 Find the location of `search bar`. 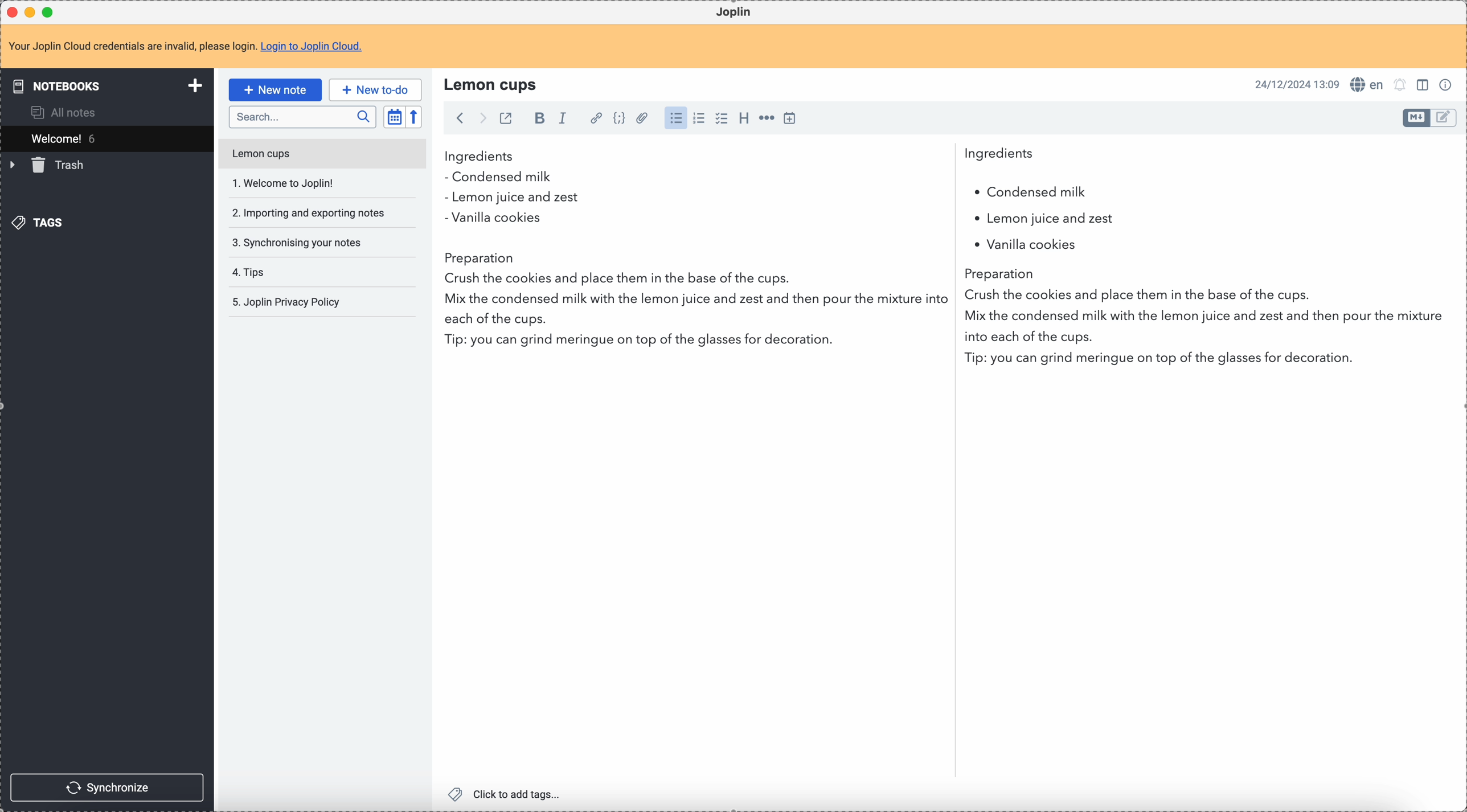

search bar is located at coordinates (302, 117).